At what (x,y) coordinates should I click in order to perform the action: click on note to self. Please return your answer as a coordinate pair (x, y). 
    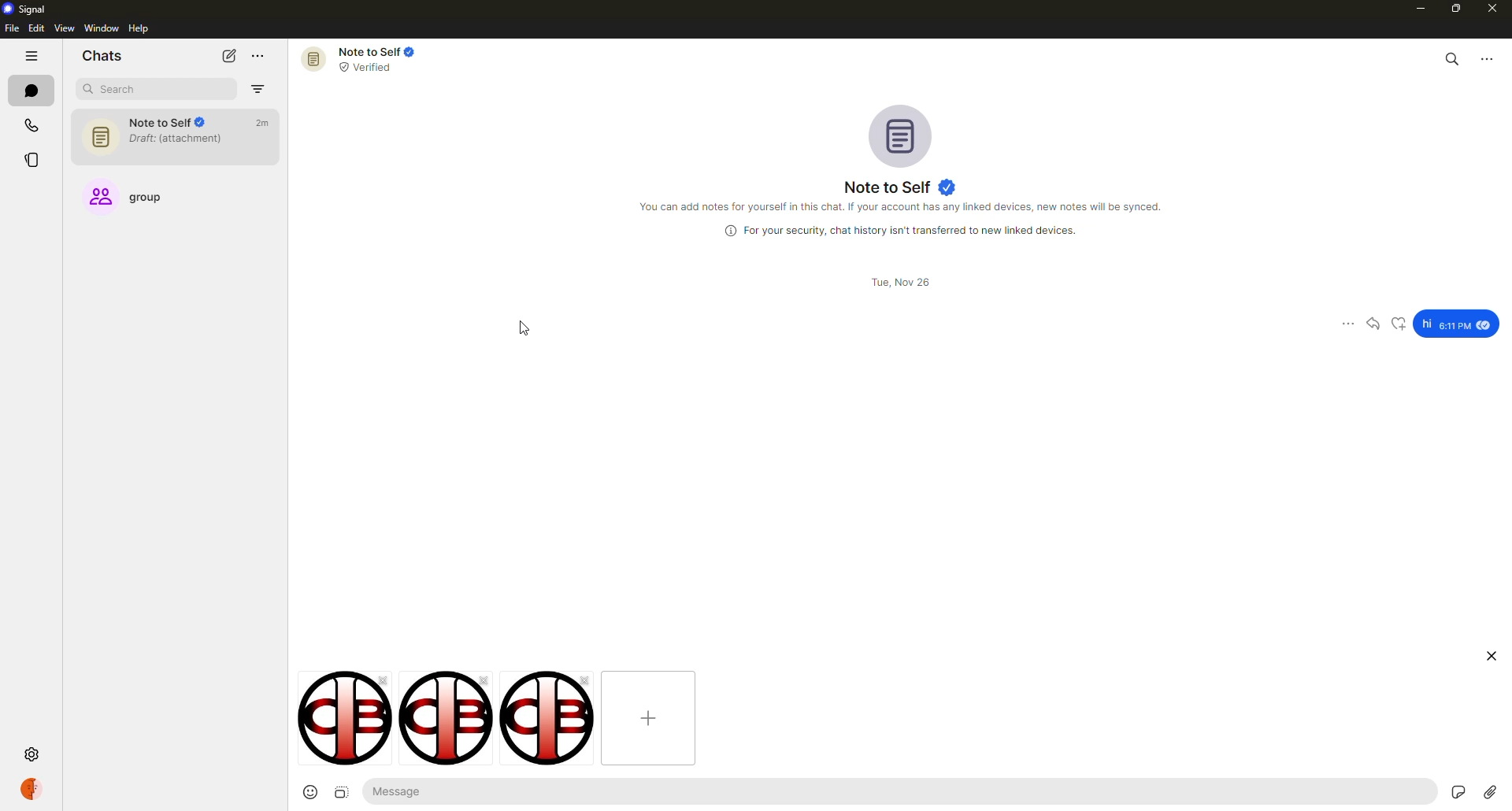
    Looking at the image, I should click on (900, 187).